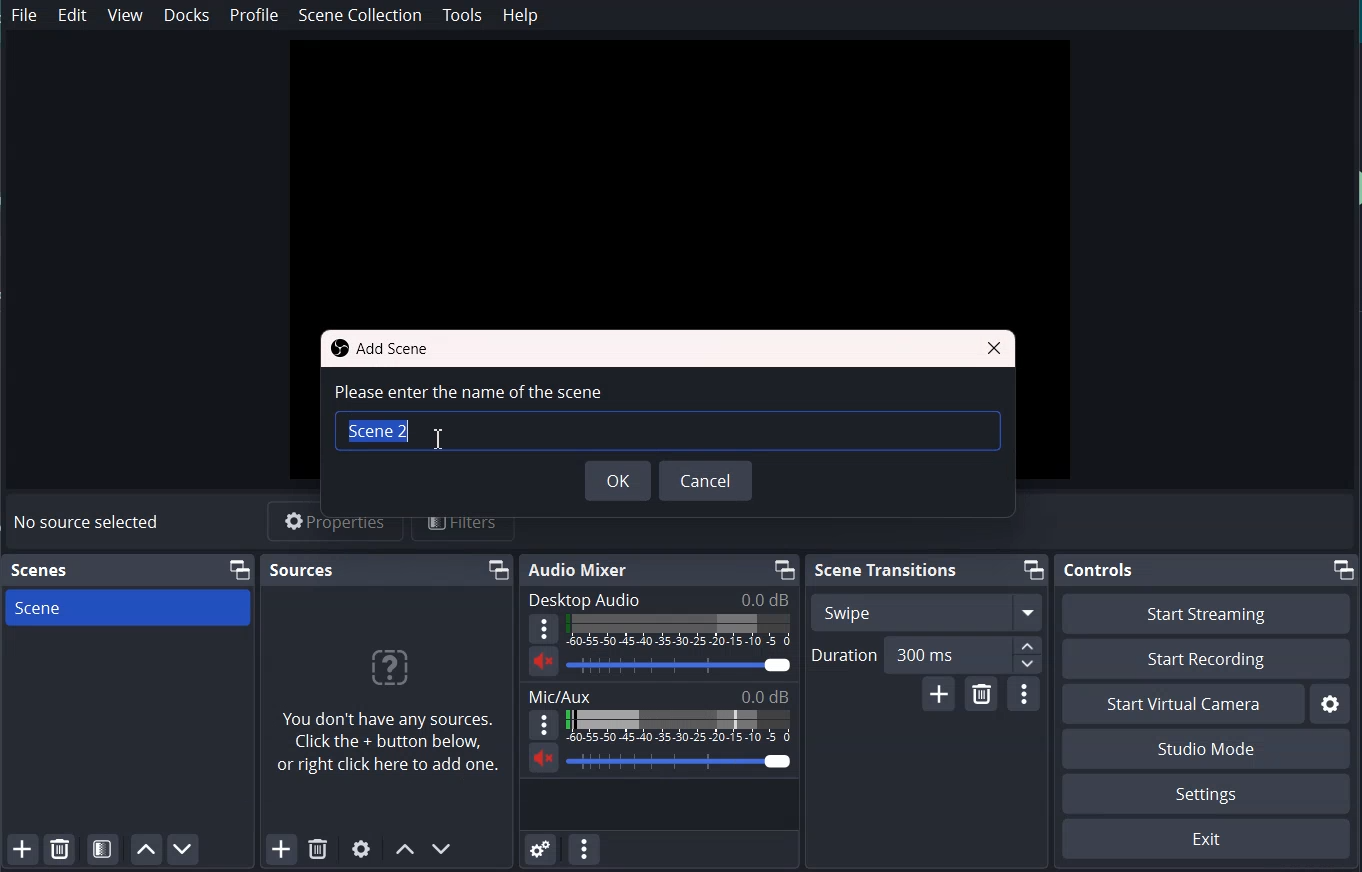  Describe the element at coordinates (463, 16) in the screenshot. I see `Tools` at that location.